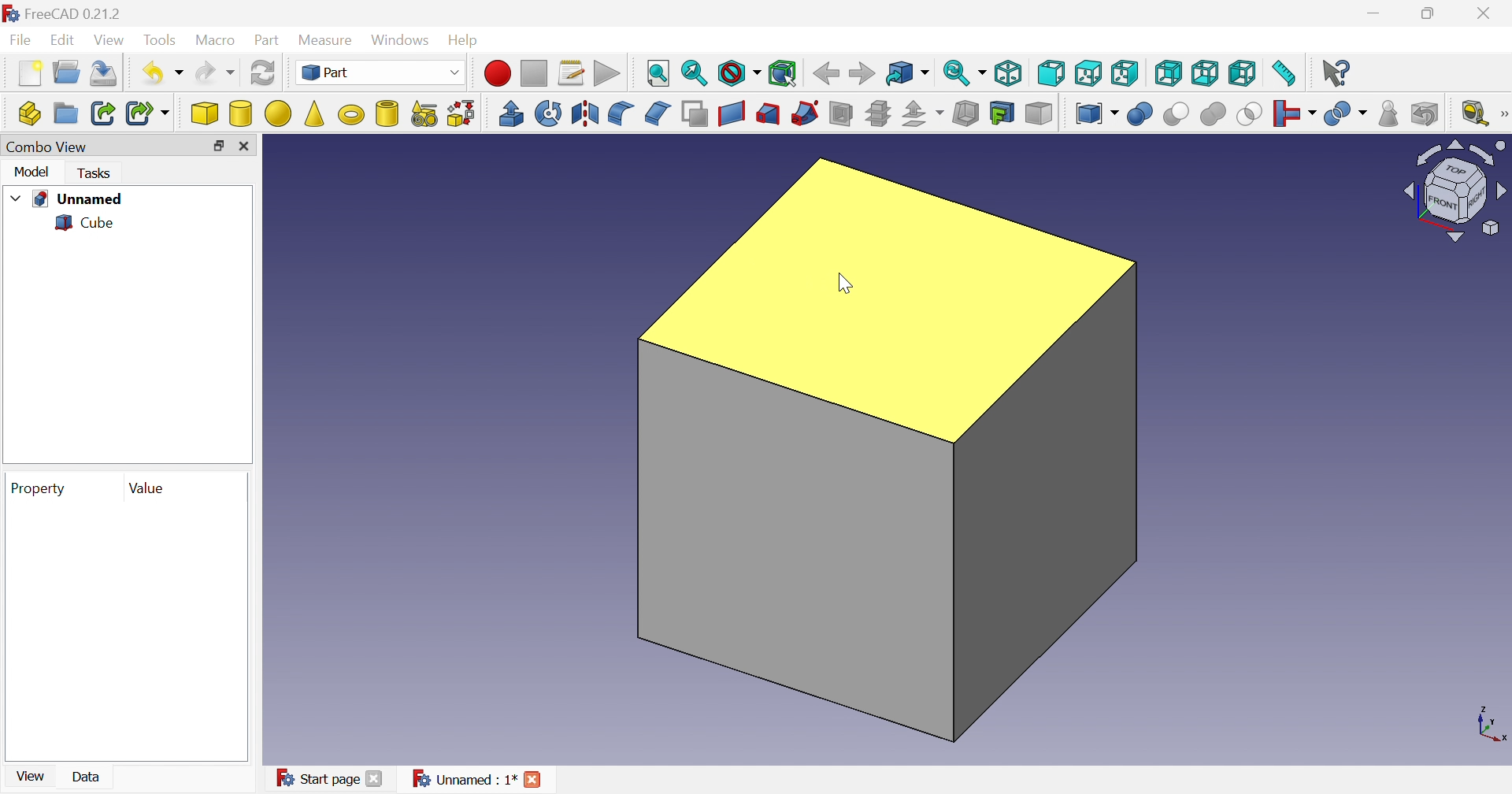 This screenshot has height=794, width=1512. I want to click on Color per face, so click(1042, 114).